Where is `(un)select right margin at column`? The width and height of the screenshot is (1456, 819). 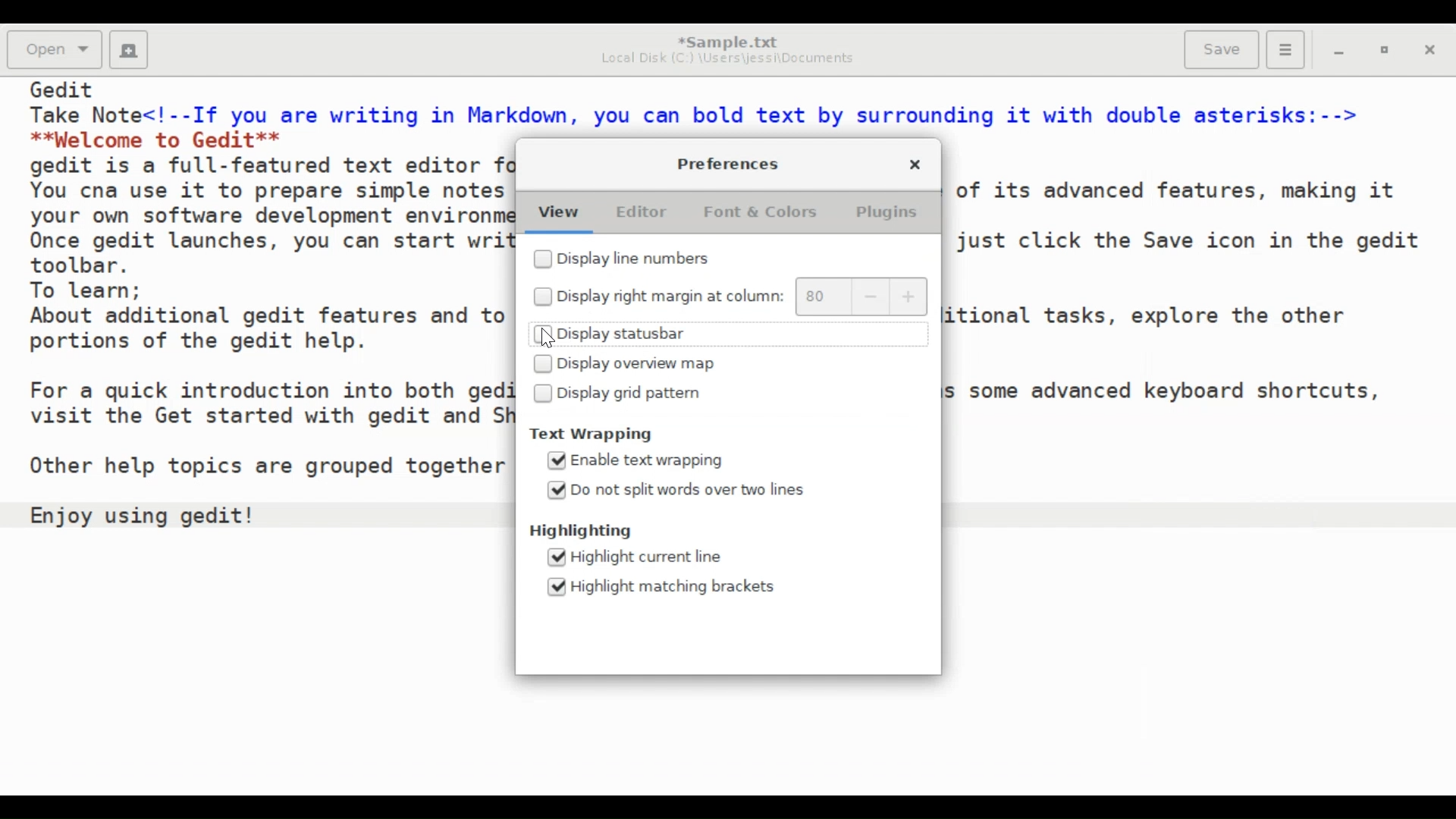
(un)select right margin at column is located at coordinates (659, 295).